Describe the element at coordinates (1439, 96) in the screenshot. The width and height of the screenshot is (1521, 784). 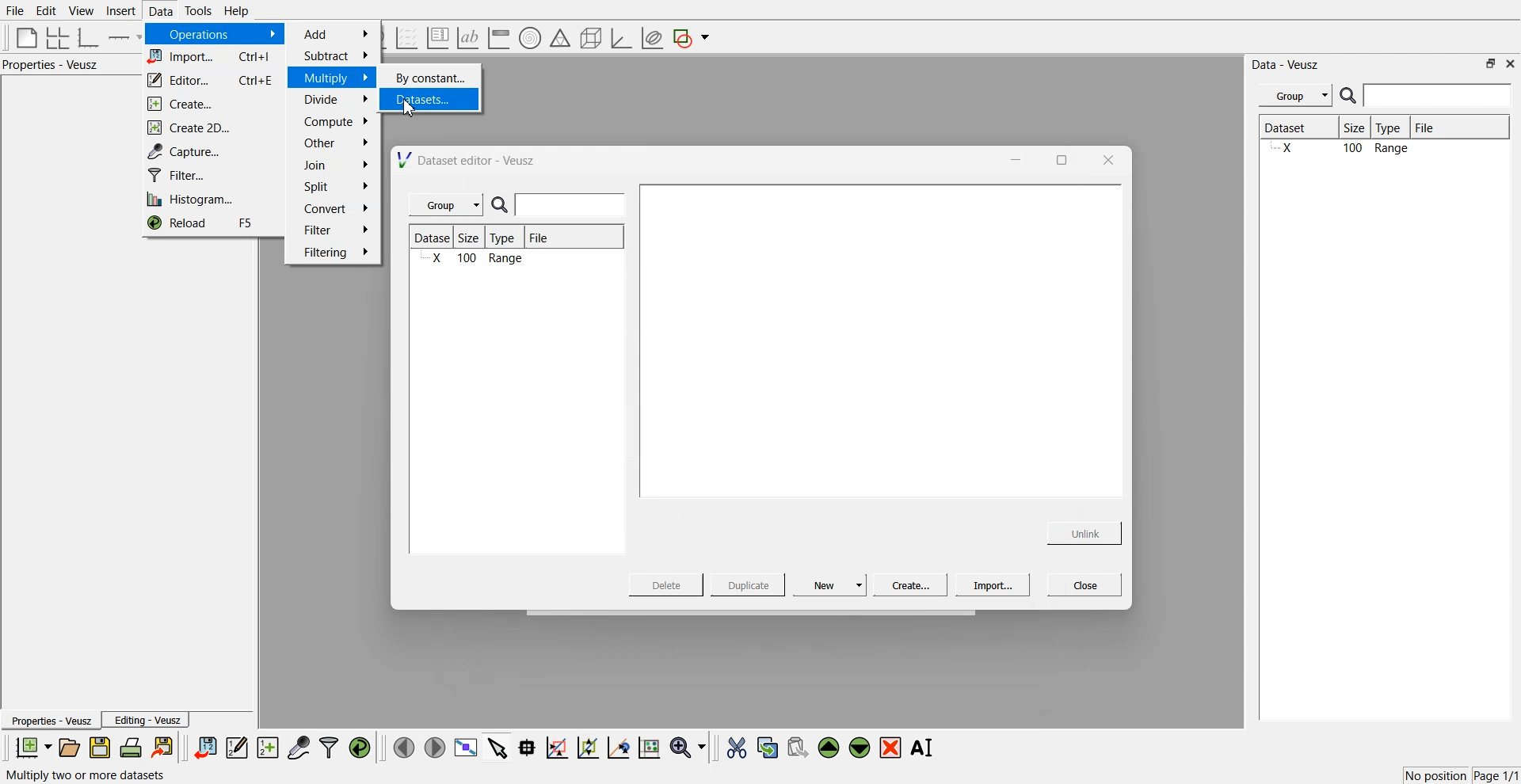
I see `enter search field` at that location.